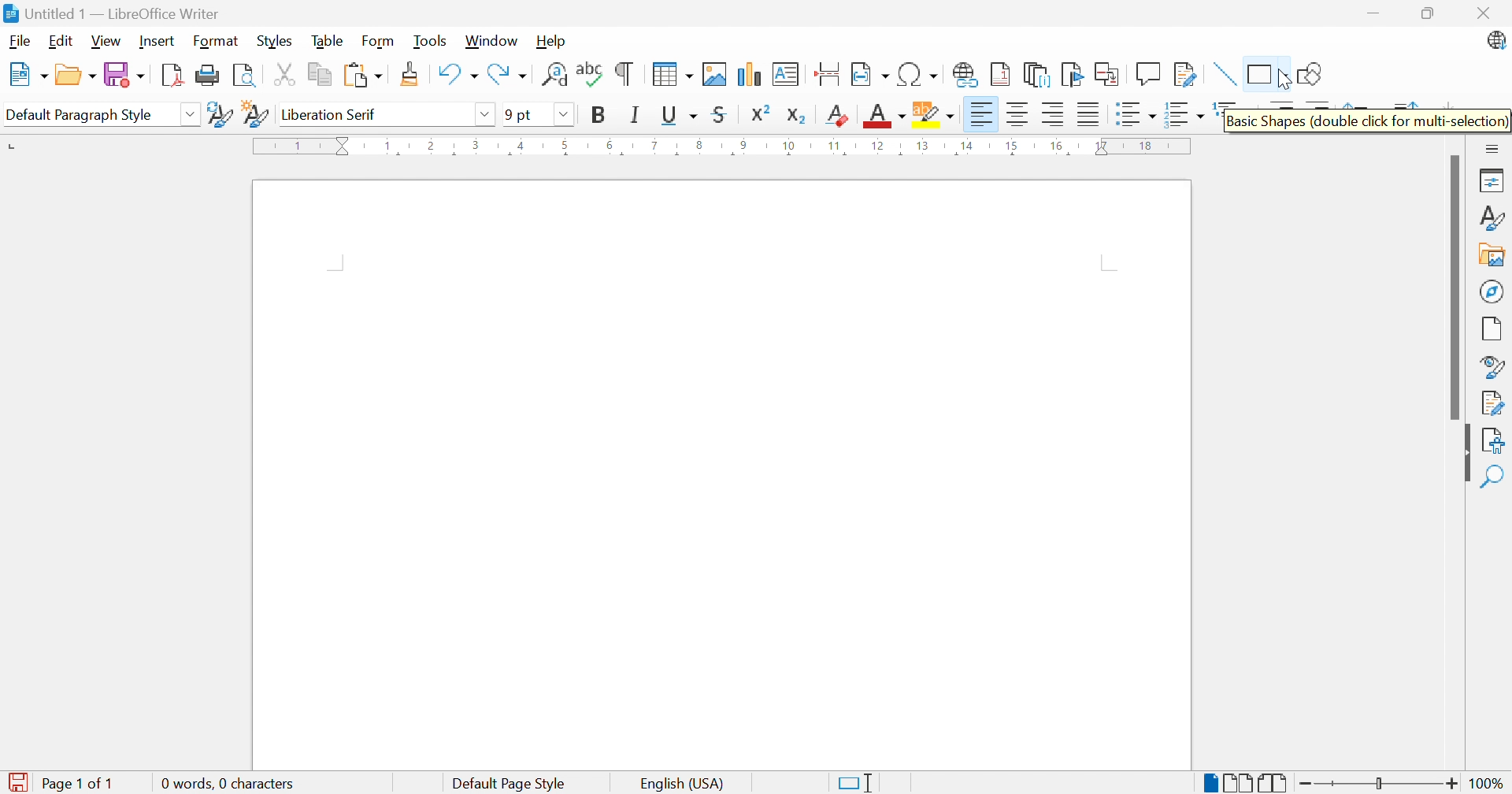 Image resolution: width=1512 pixels, height=794 pixels. I want to click on Properties, so click(1495, 180).